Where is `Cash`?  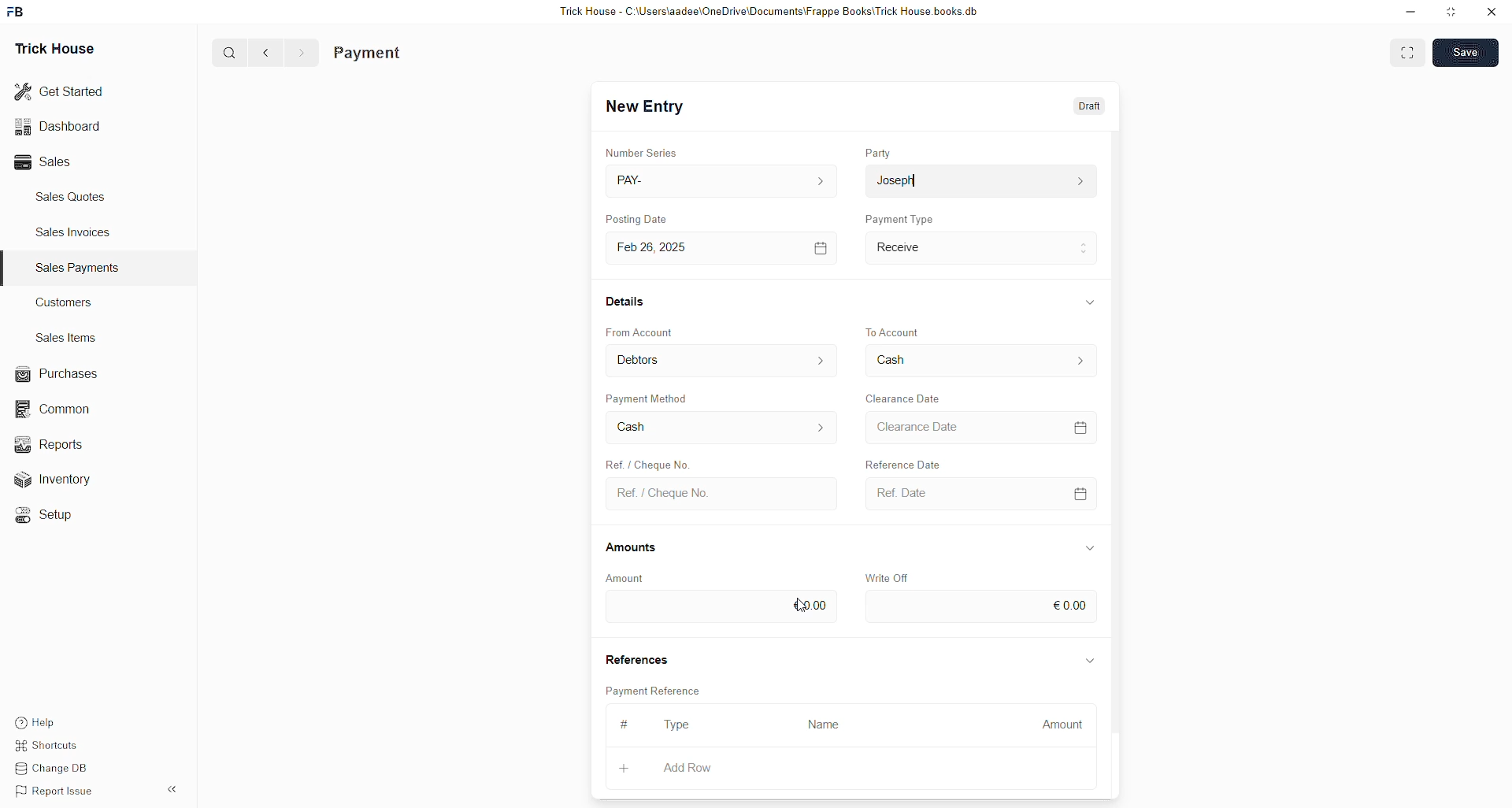
Cash is located at coordinates (722, 428).